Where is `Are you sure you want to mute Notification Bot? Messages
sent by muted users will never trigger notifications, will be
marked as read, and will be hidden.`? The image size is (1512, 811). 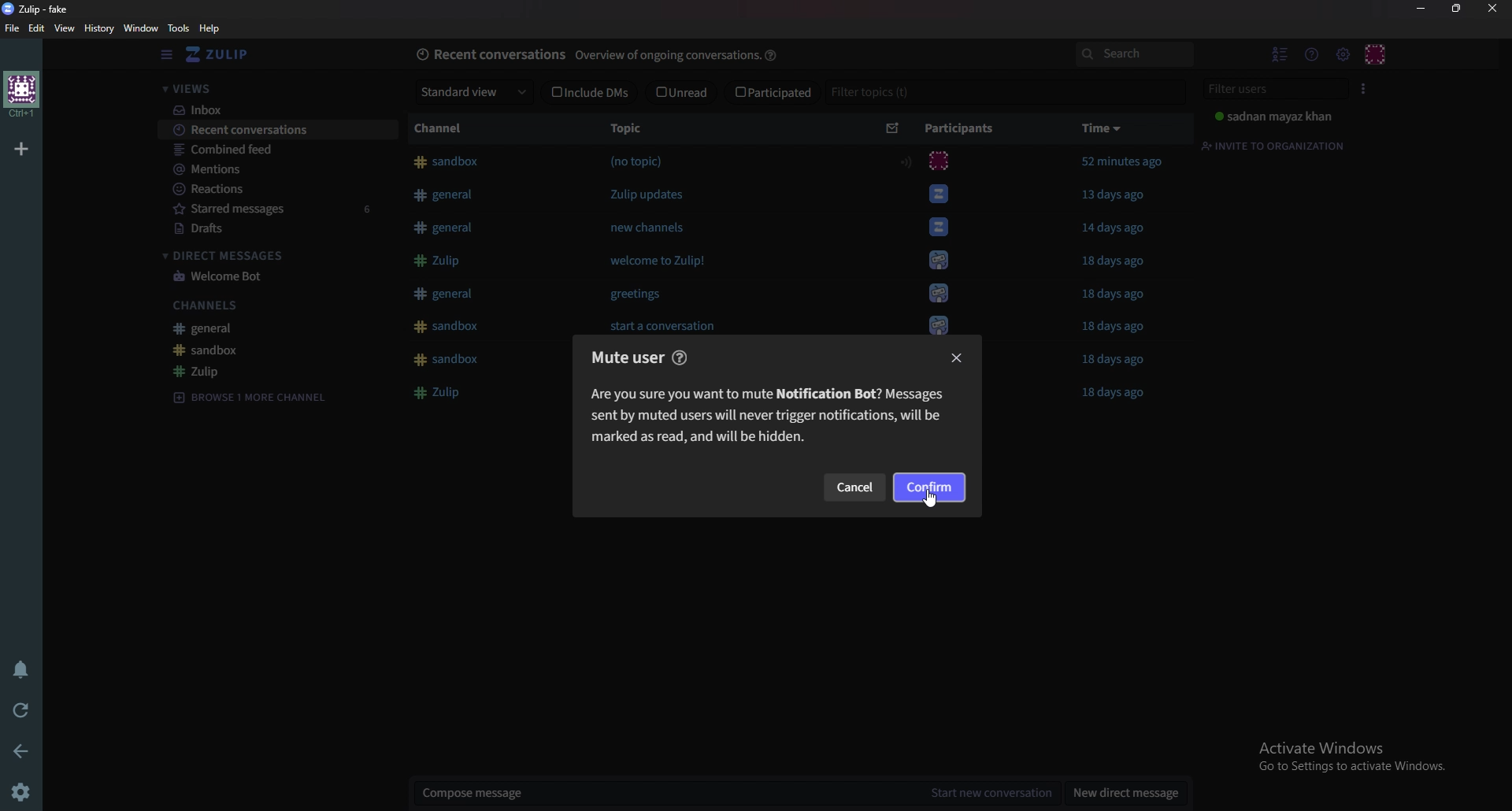
Are you sure you want to mute Notification Bot? Messages
sent by muted users will never trigger notifications, will be
marked as read, and will be hidden. is located at coordinates (776, 419).